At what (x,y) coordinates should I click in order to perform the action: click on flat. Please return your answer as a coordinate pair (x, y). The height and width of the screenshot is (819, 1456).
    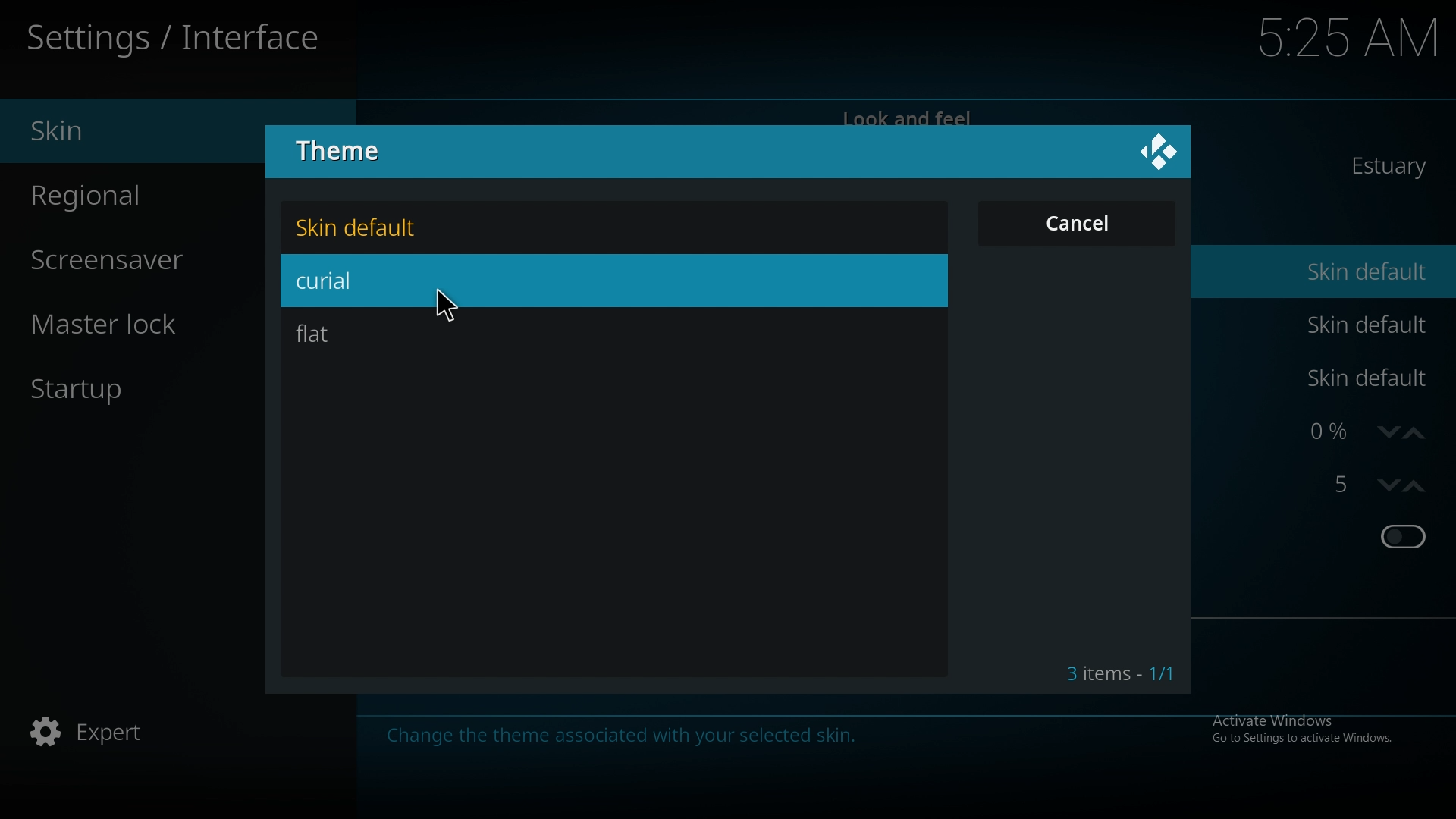
    Looking at the image, I should click on (356, 331).